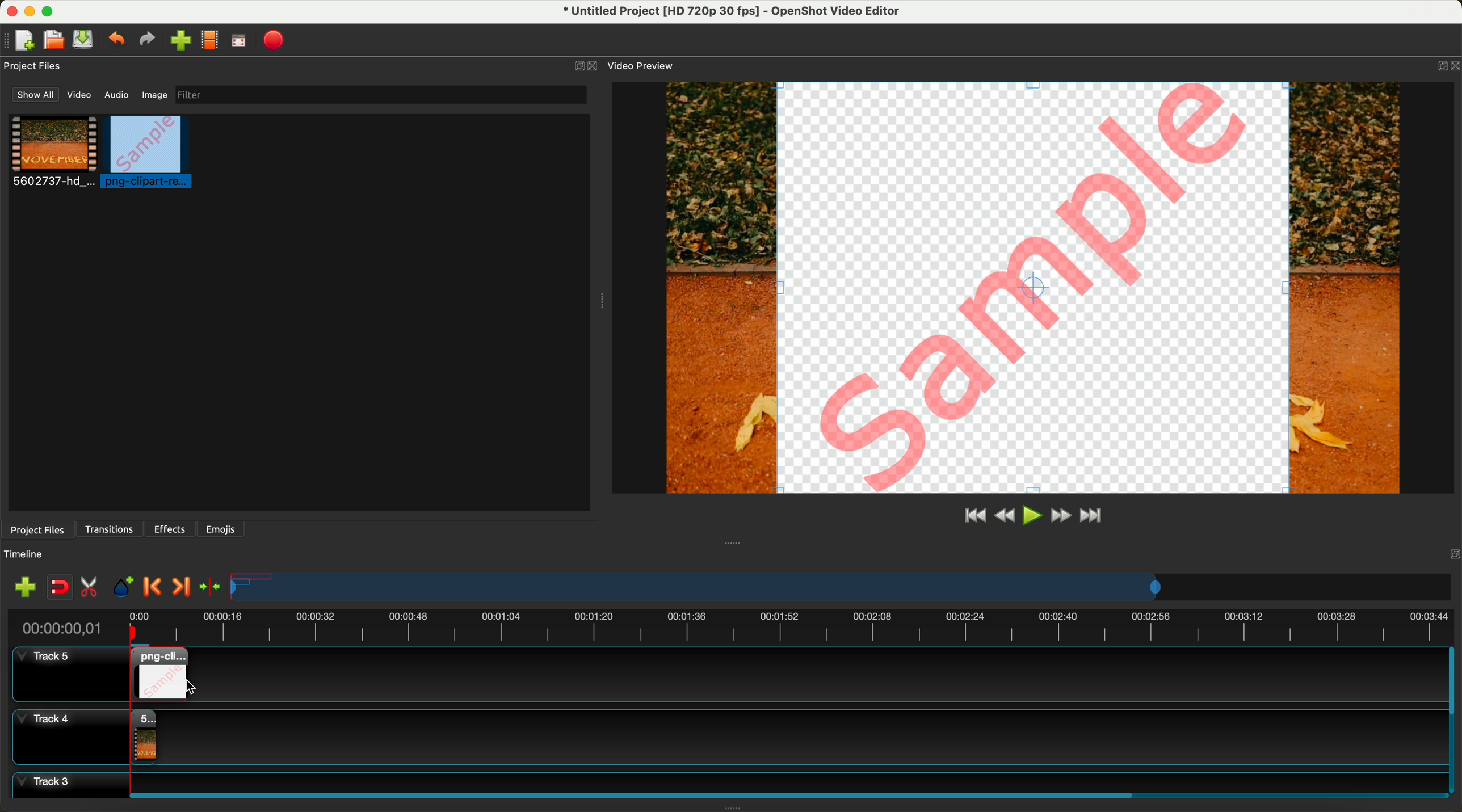 The width and height of the screenshot is (1462, 812). I want to click on maximize, so click(52, 10).